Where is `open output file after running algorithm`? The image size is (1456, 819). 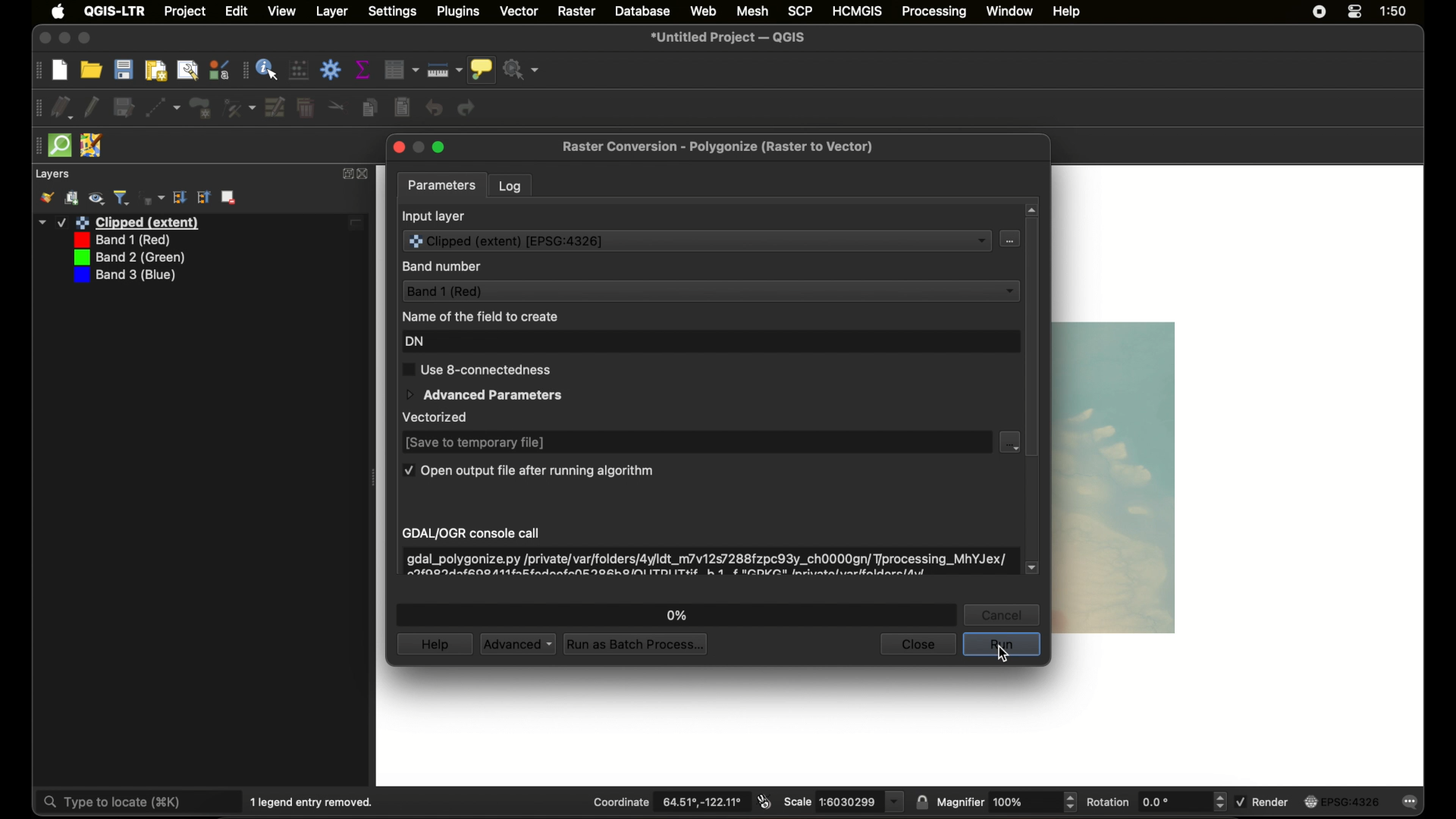
open output file after running algorithm is located at coordinates (527, 470).